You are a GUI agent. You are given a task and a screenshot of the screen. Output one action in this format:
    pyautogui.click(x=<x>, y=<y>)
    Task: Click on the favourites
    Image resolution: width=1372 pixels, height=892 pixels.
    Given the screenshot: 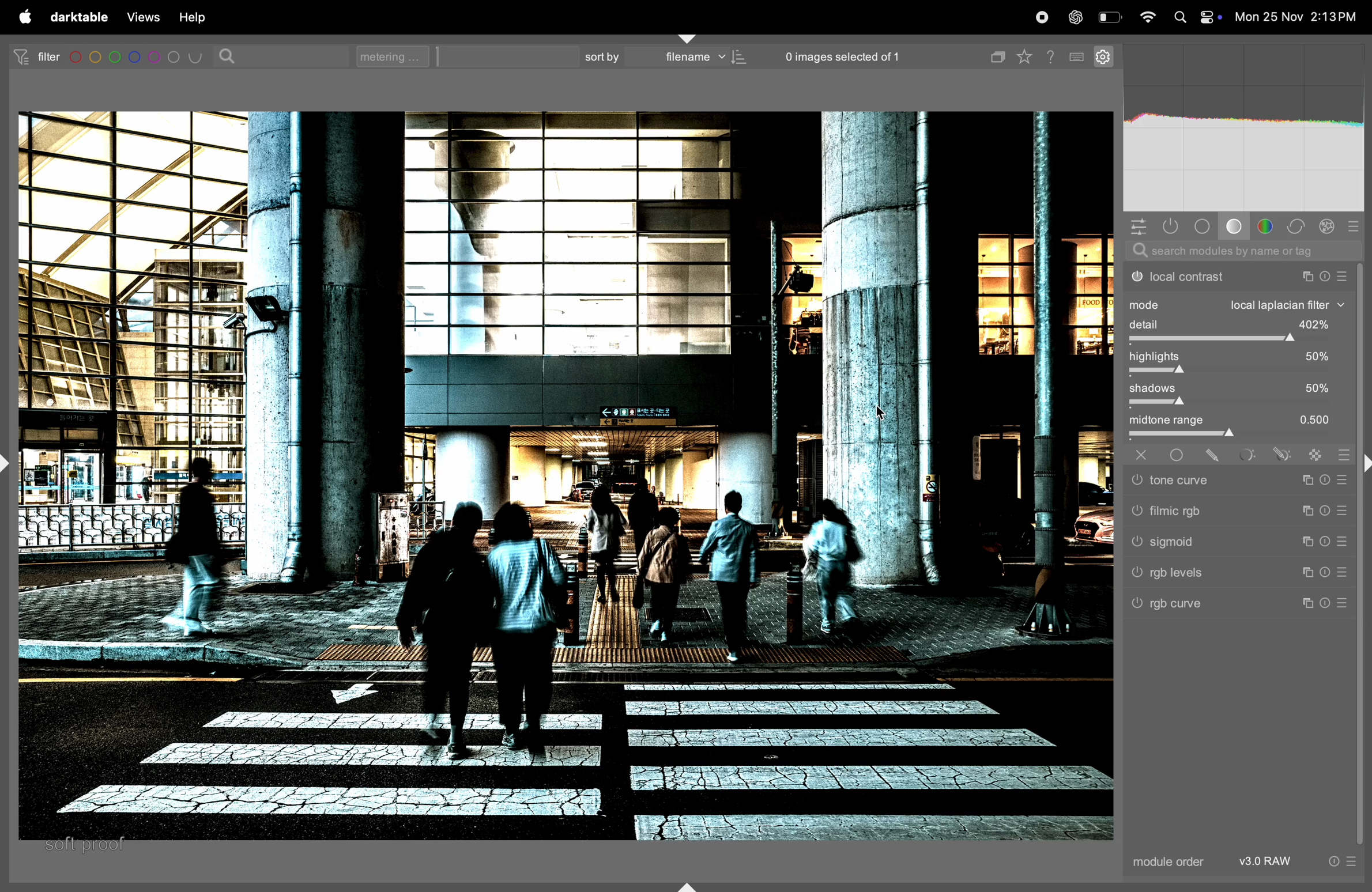 What is the action you would take?
    pyautogui.click(x=1028, y=54)
    